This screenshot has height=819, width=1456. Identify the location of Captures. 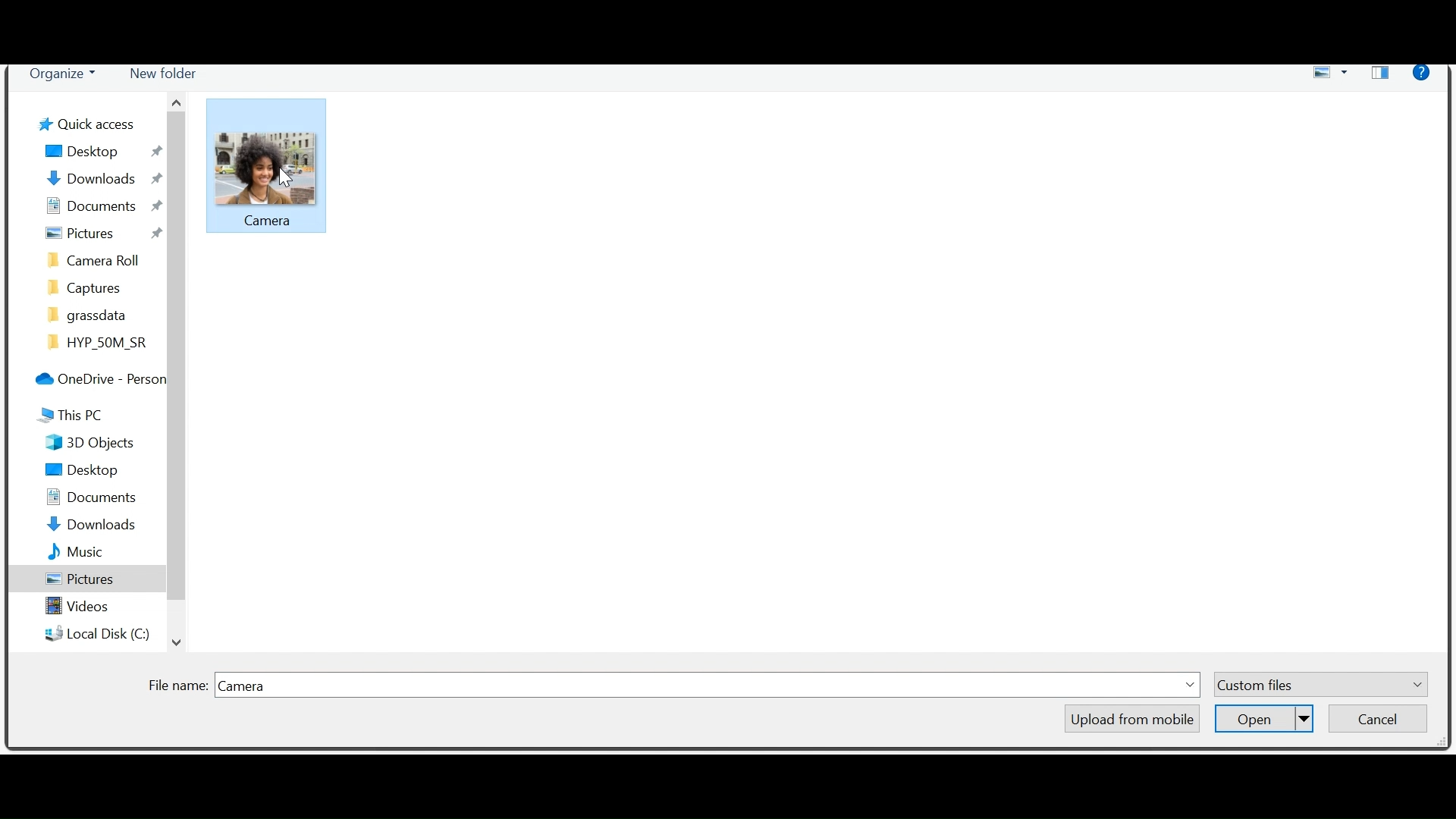
(85, 287).